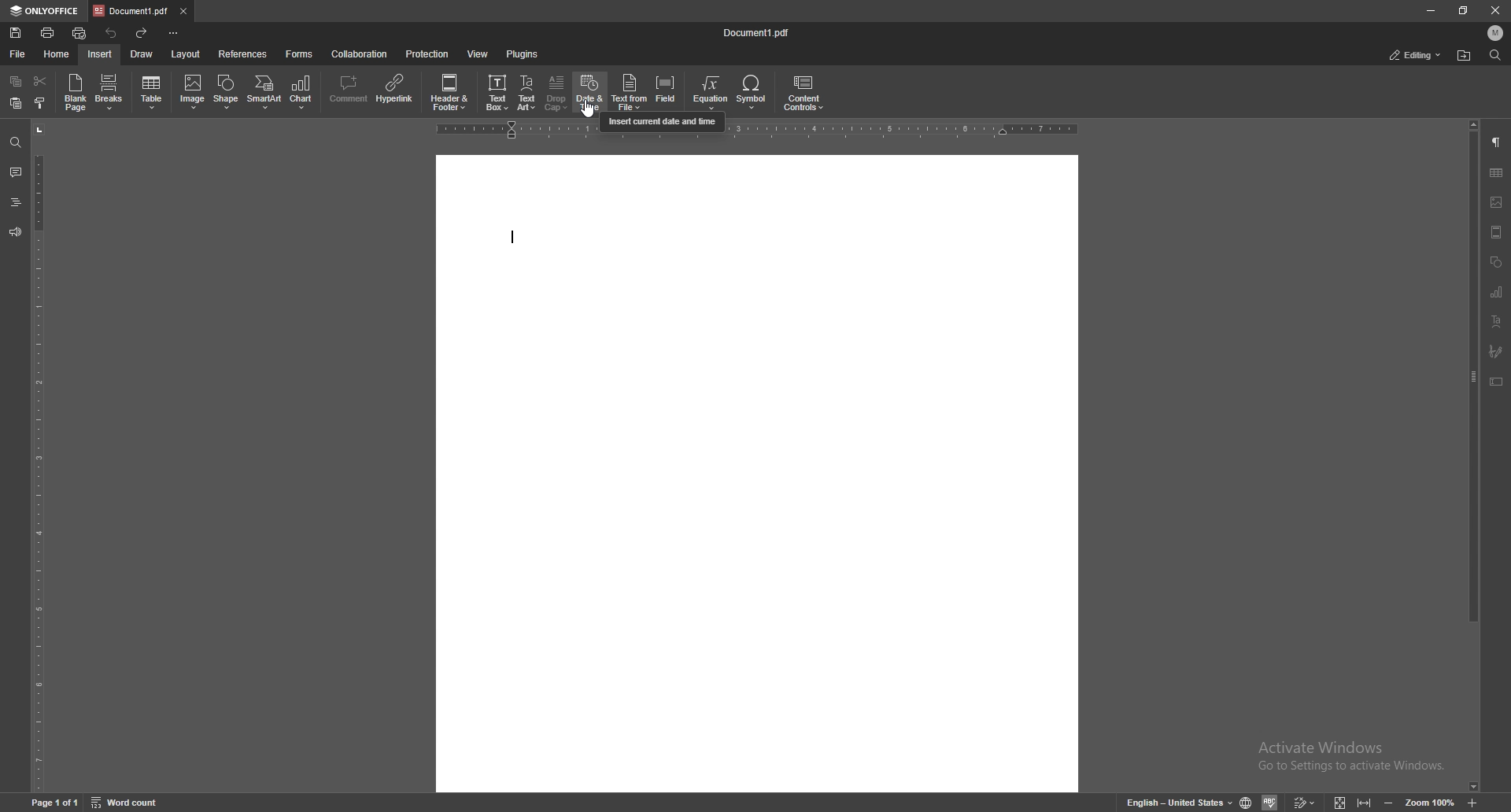 Image resolution: width=1511 pixels, height=812 pixels. Describe the element at coordinates (299, 54) in the screenshot. I see `forms` at that location.